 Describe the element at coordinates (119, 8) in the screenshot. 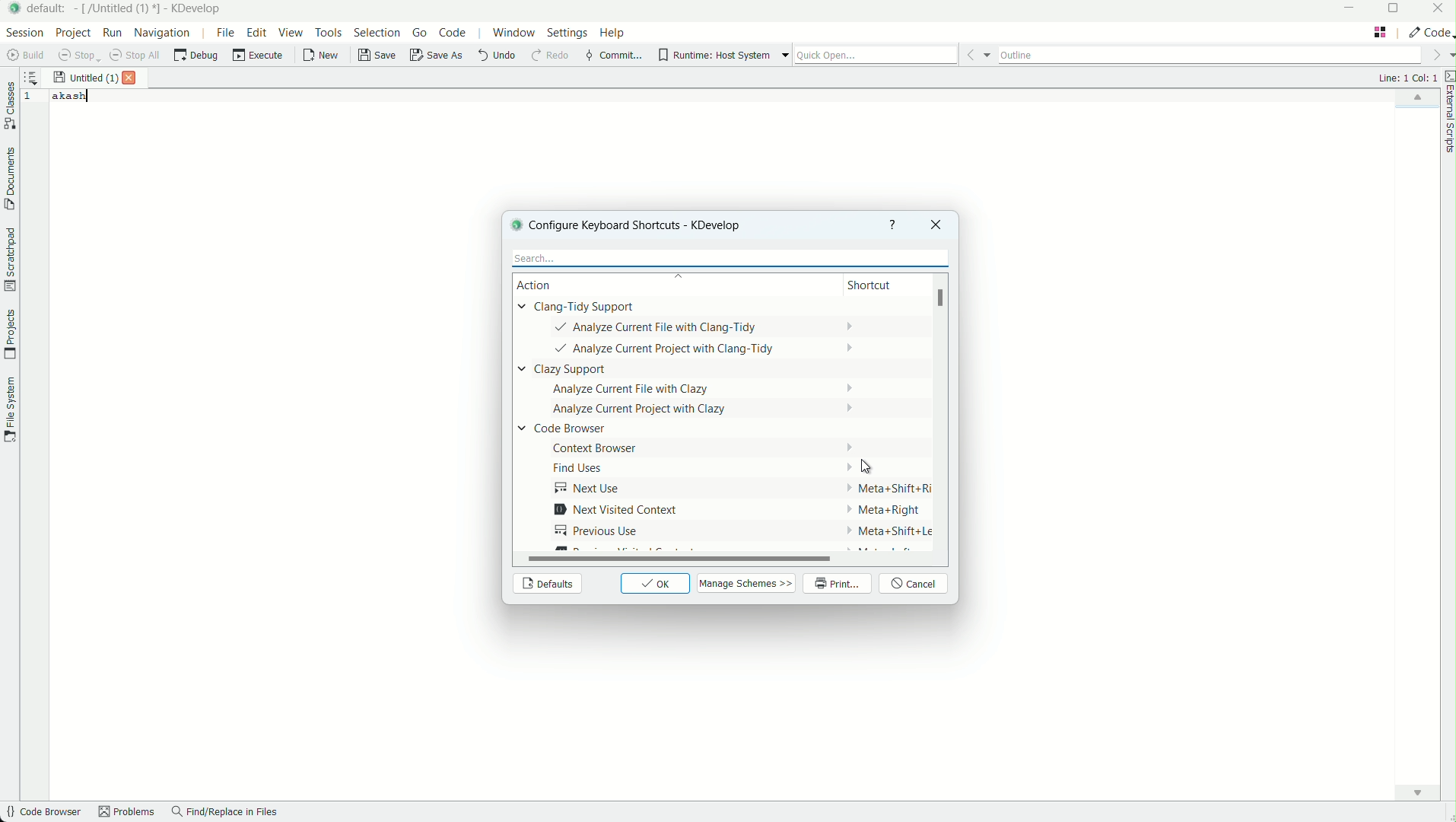

I see `file name` at that location.